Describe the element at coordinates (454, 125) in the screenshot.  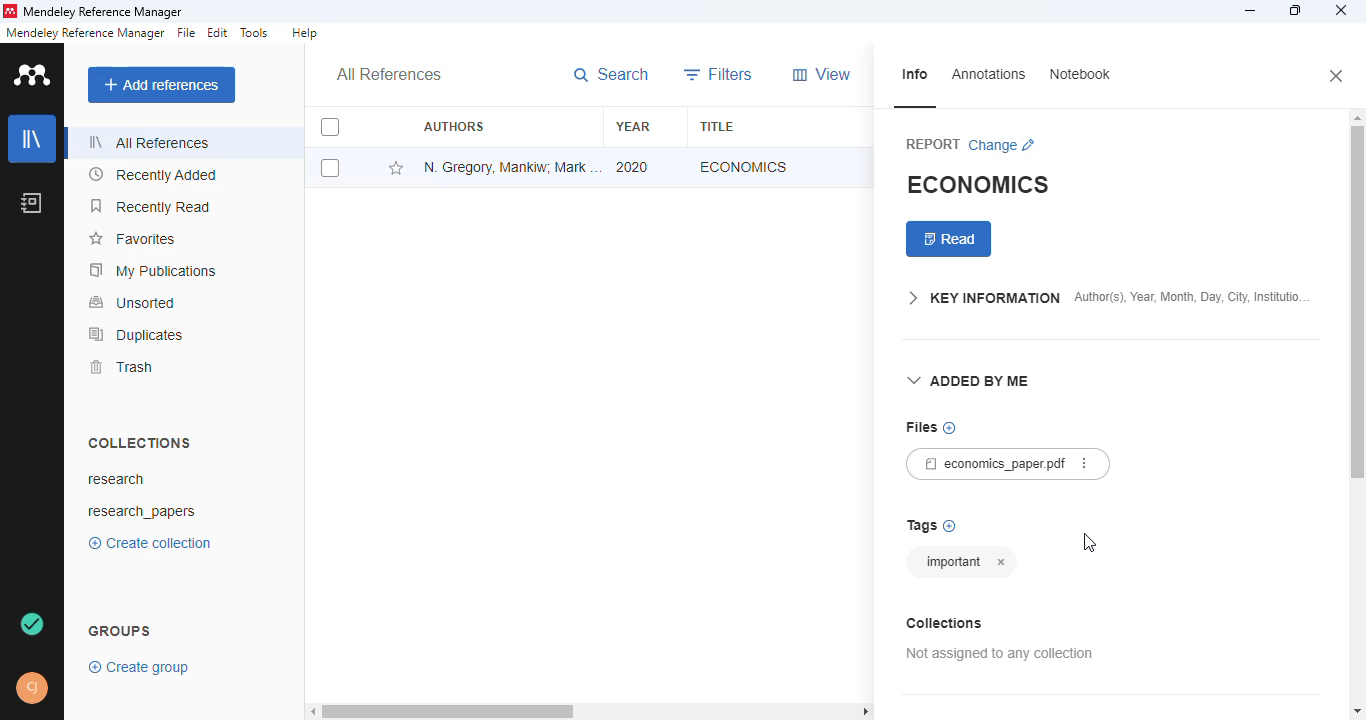
I see `authors` at that location.